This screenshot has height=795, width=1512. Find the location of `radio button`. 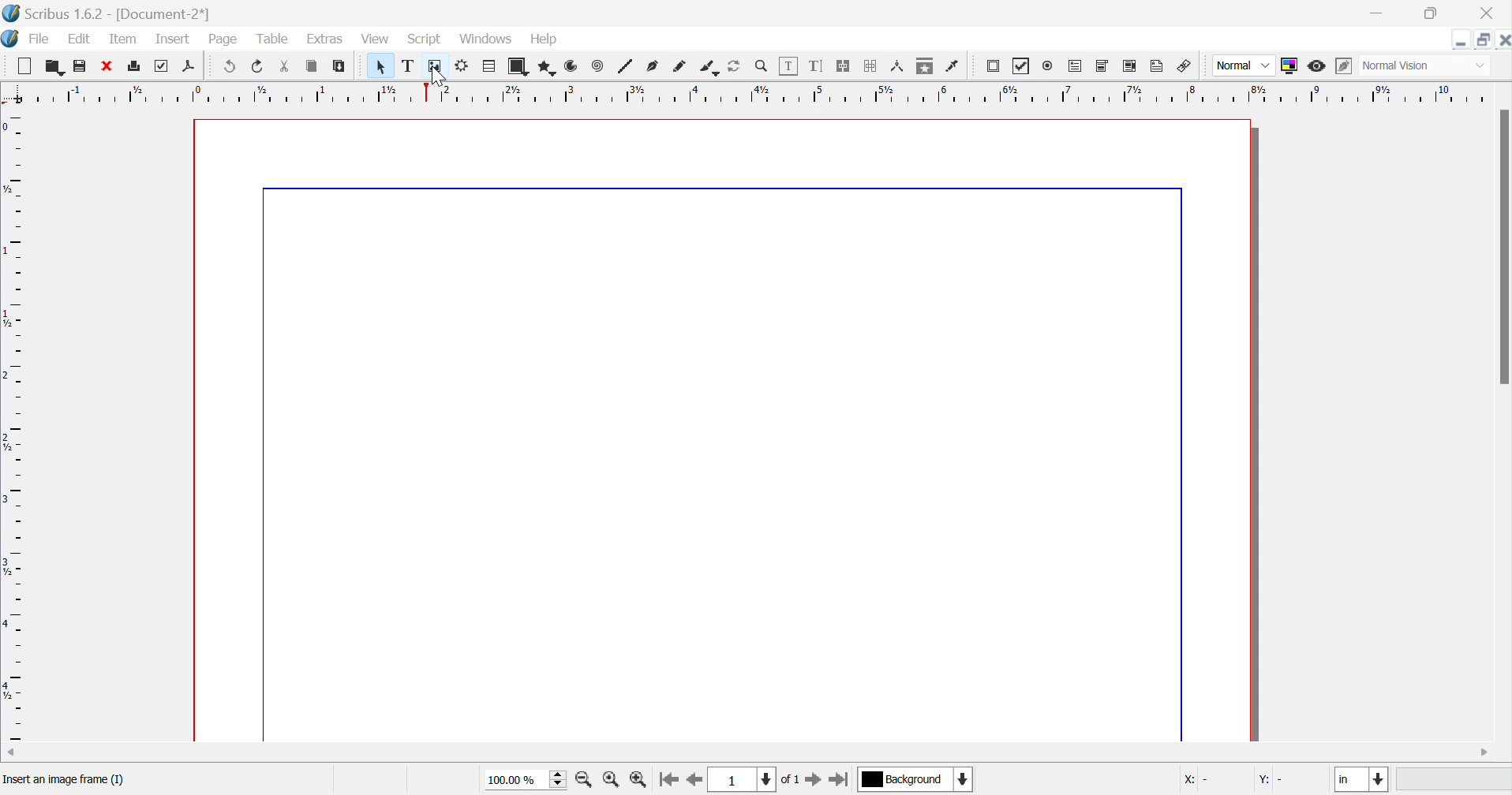

radio button is located at coordinates (1049, 66).